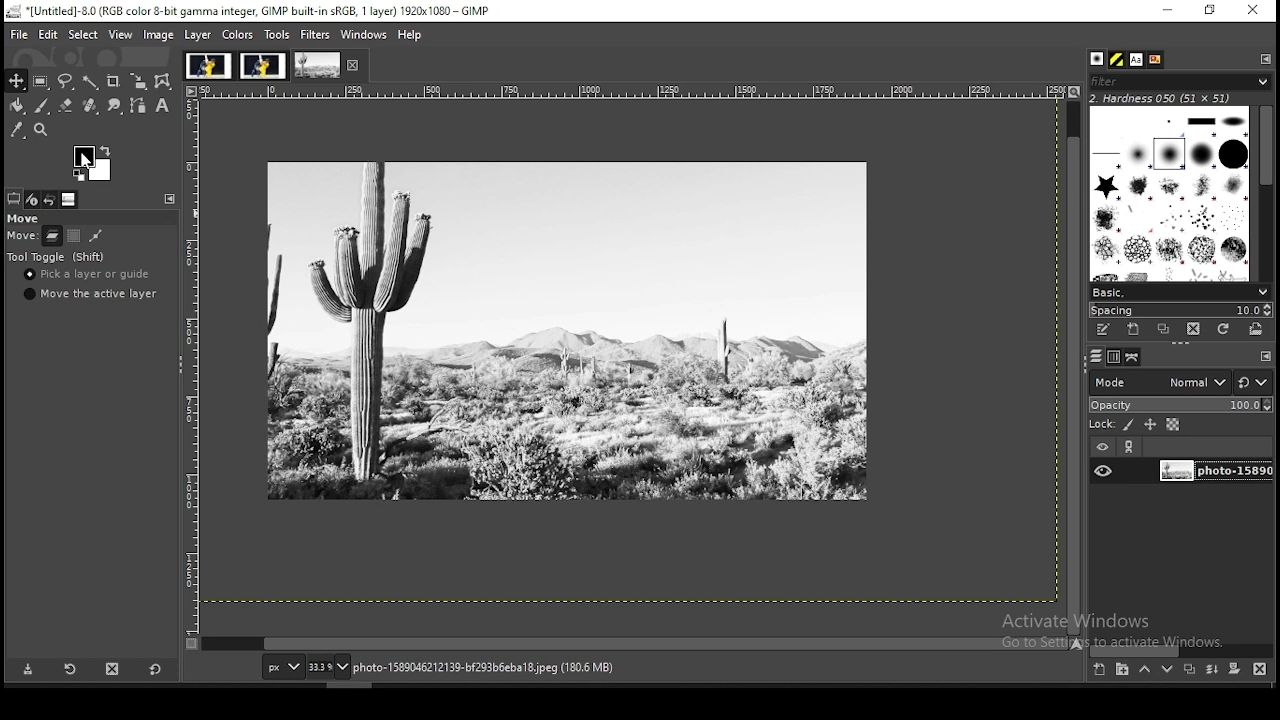 This screenshot has height=720, width=1280. What do you see at coordinates (238, 35) in the screenshot?
I see `colors` at bounding box center [238, 35].